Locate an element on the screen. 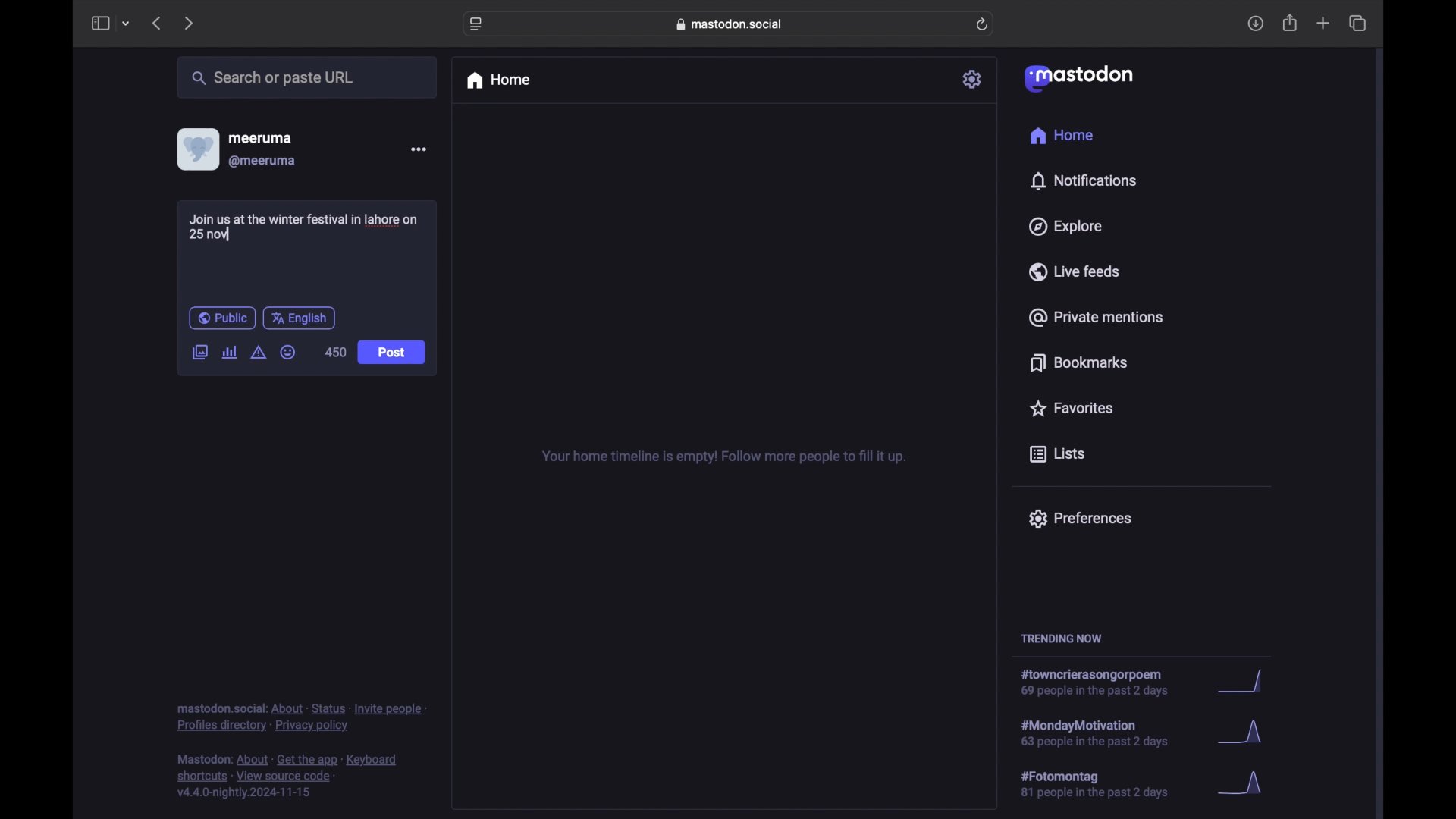 This screenshot has width=1456, height=819. refresh is located at coordinates (984, 25).